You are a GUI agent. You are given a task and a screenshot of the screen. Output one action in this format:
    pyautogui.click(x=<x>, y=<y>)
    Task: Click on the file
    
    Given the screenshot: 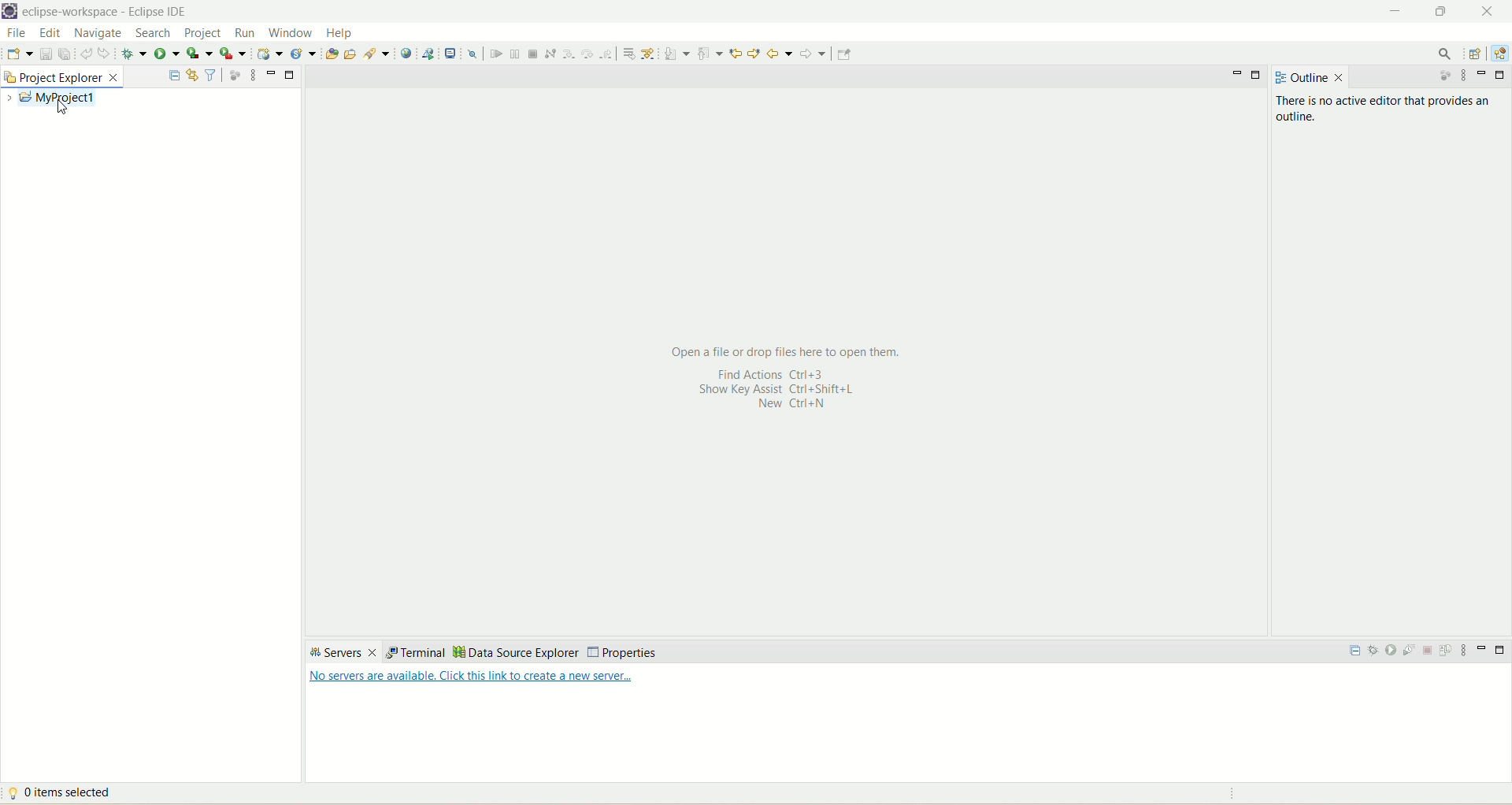 What is the action you would take?
    pyautogui.click(x=15, y=34)
    